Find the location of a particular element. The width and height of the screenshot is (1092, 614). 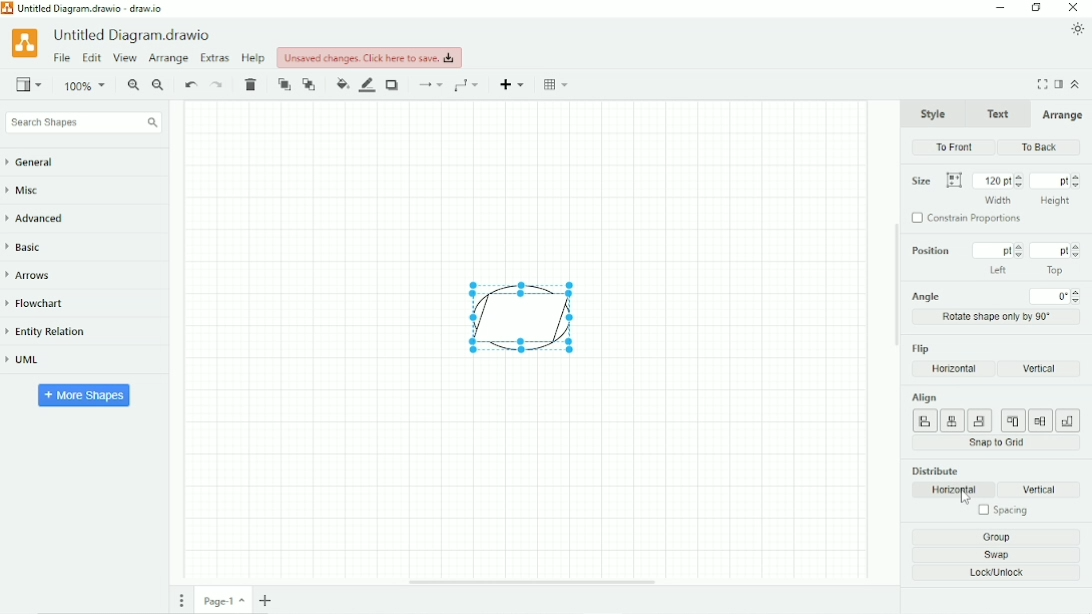

Shapes is located at coordinates (511, 317).